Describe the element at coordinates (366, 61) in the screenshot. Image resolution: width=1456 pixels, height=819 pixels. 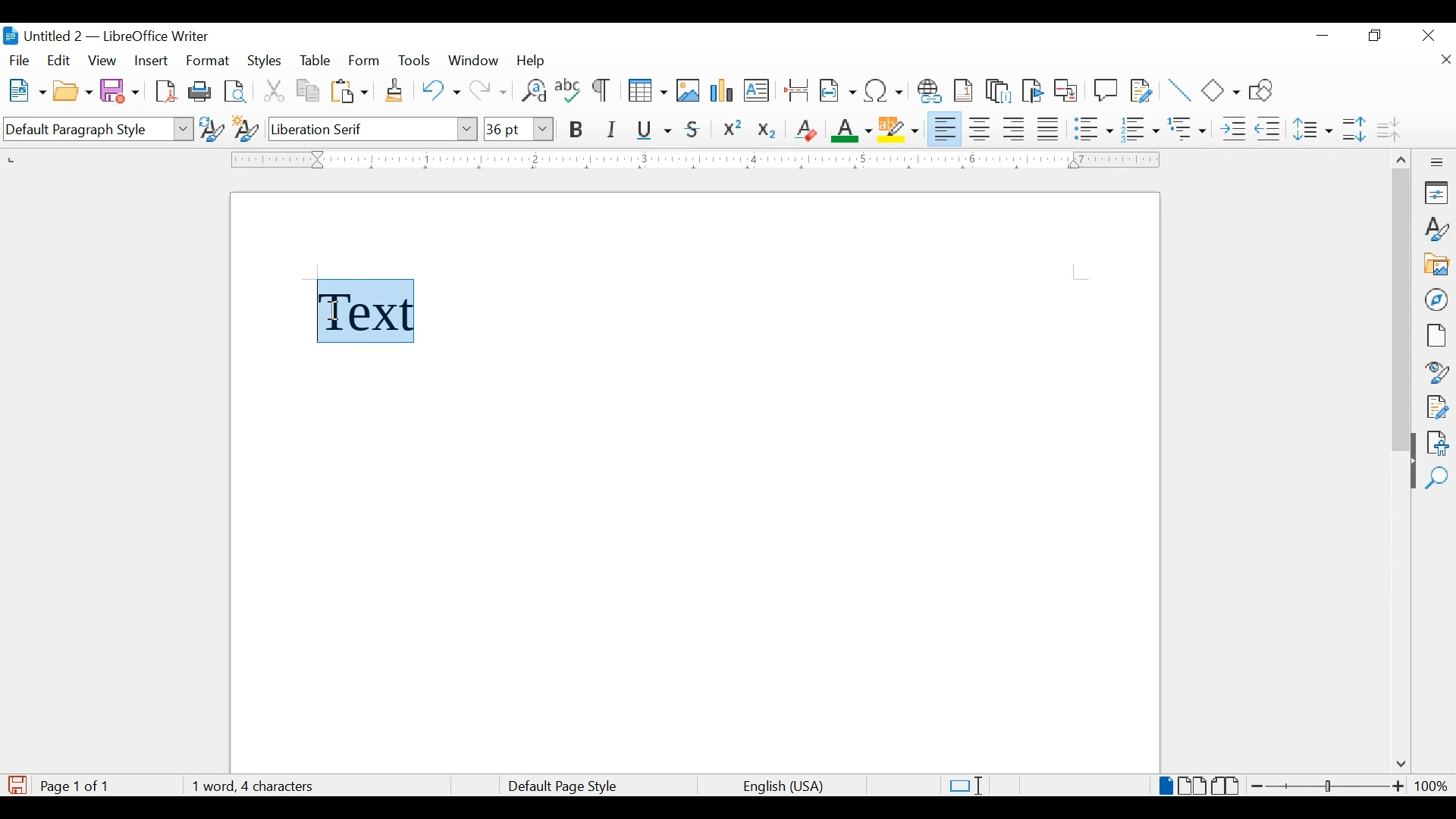
I see `form` at that location.